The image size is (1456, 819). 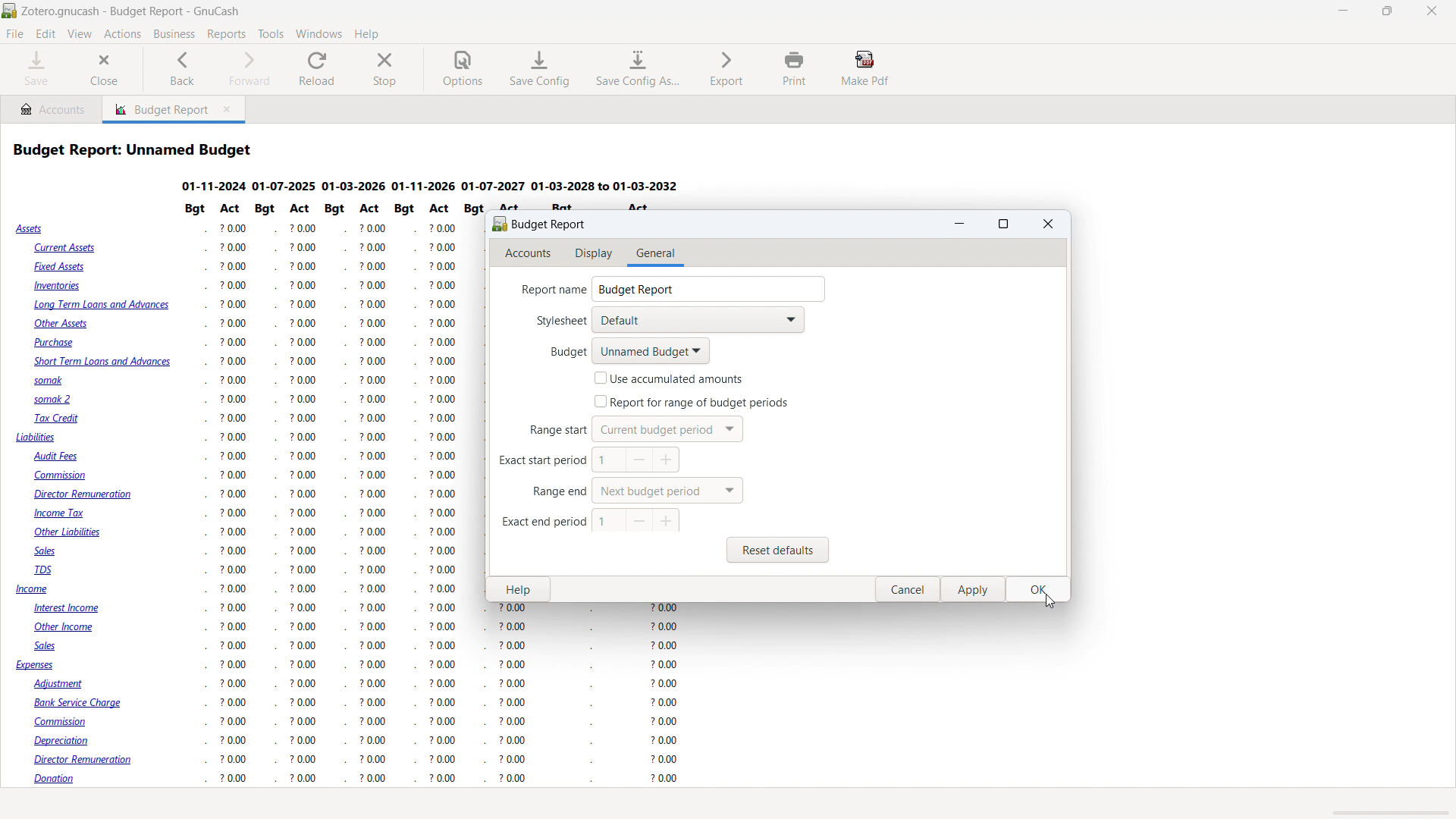 What do you see at coordinates (48, 646) in the screenshot?
I see `Sales` at bounding box center [48, 646].